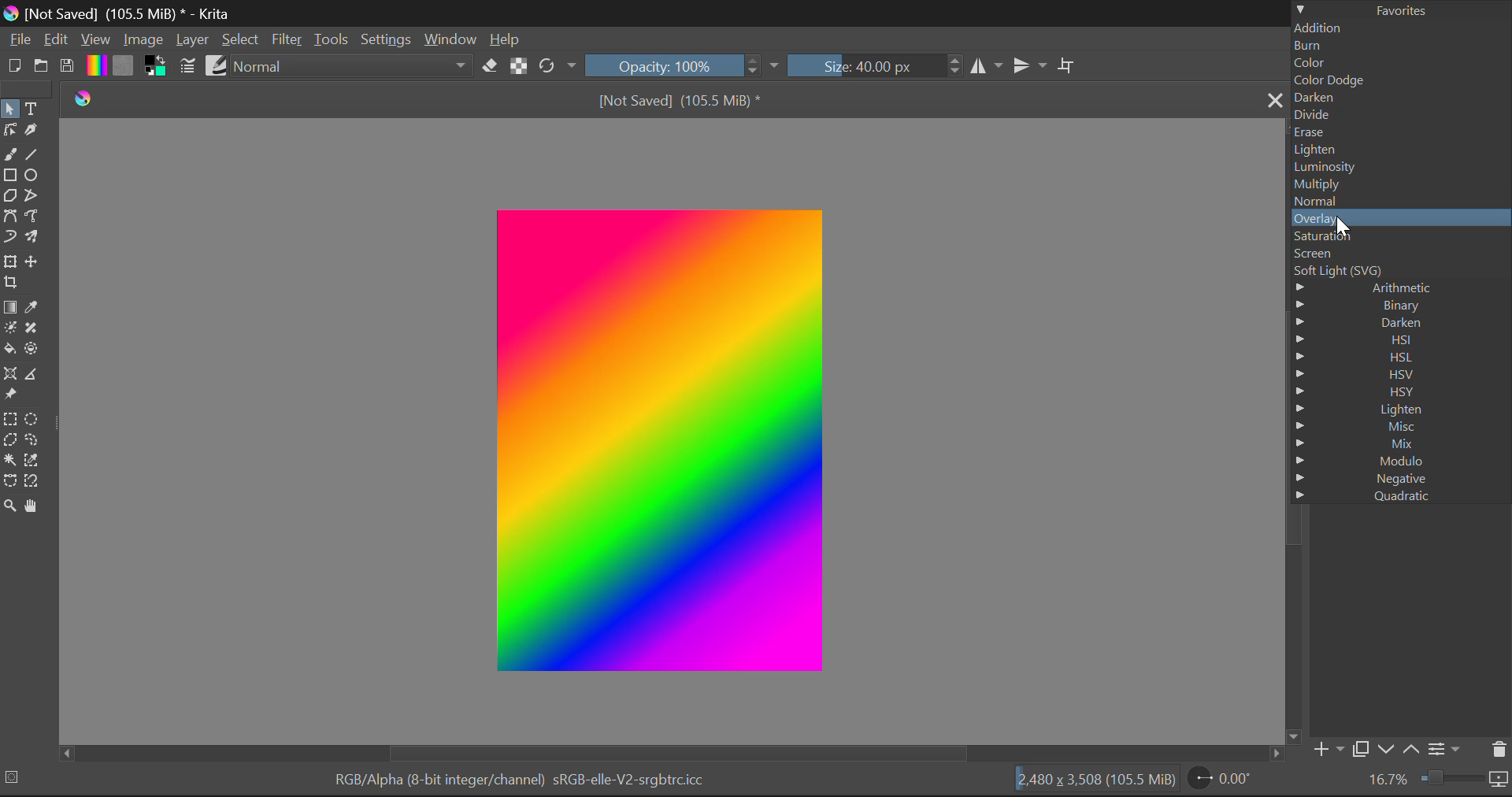 This screenshot has width=1512, height=797. I want to click on Edit, so click(57, 40).